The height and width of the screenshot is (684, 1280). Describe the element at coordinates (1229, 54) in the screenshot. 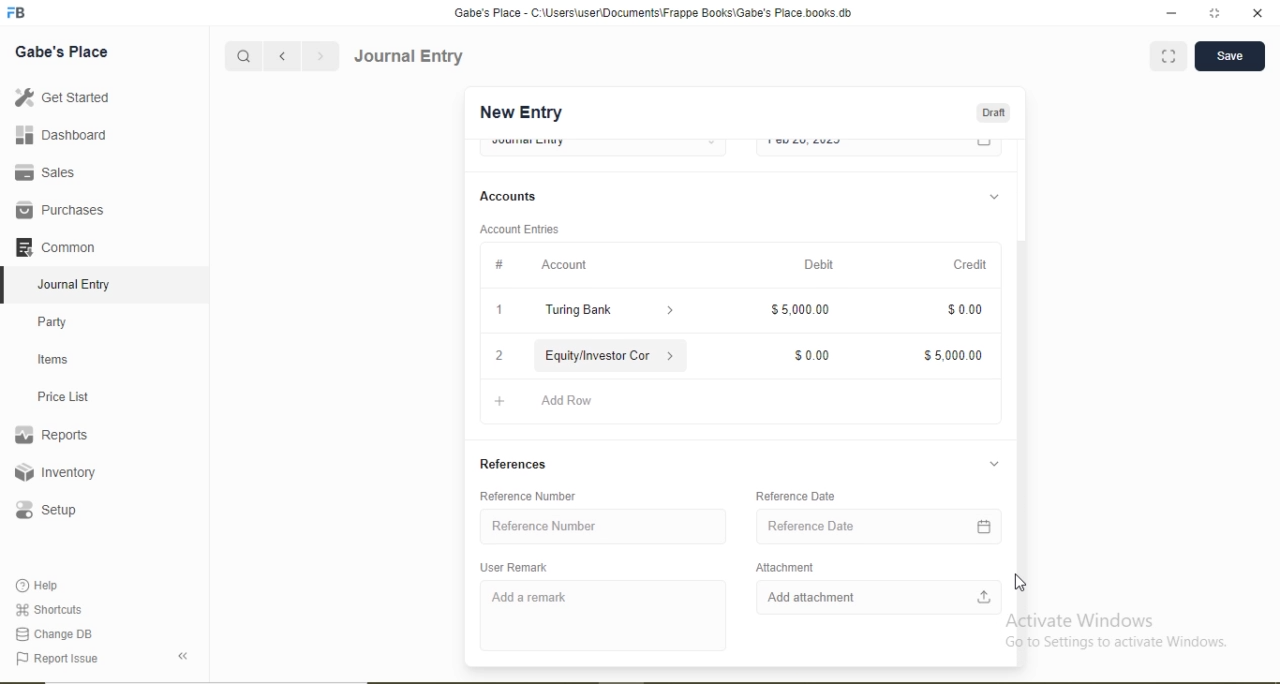

I see `Save` at that location.